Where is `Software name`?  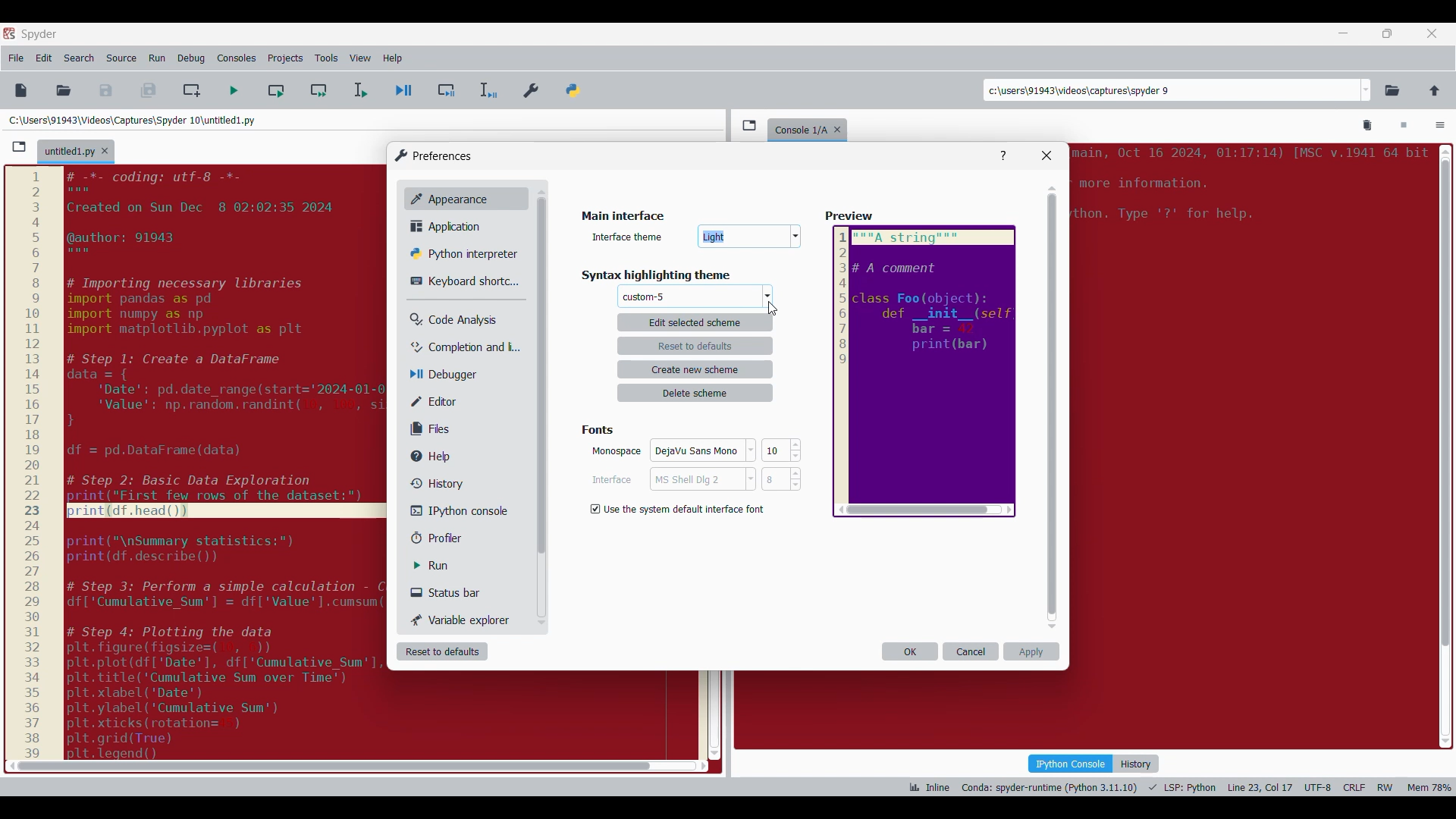
Software name is located at coordinates (39, 34).